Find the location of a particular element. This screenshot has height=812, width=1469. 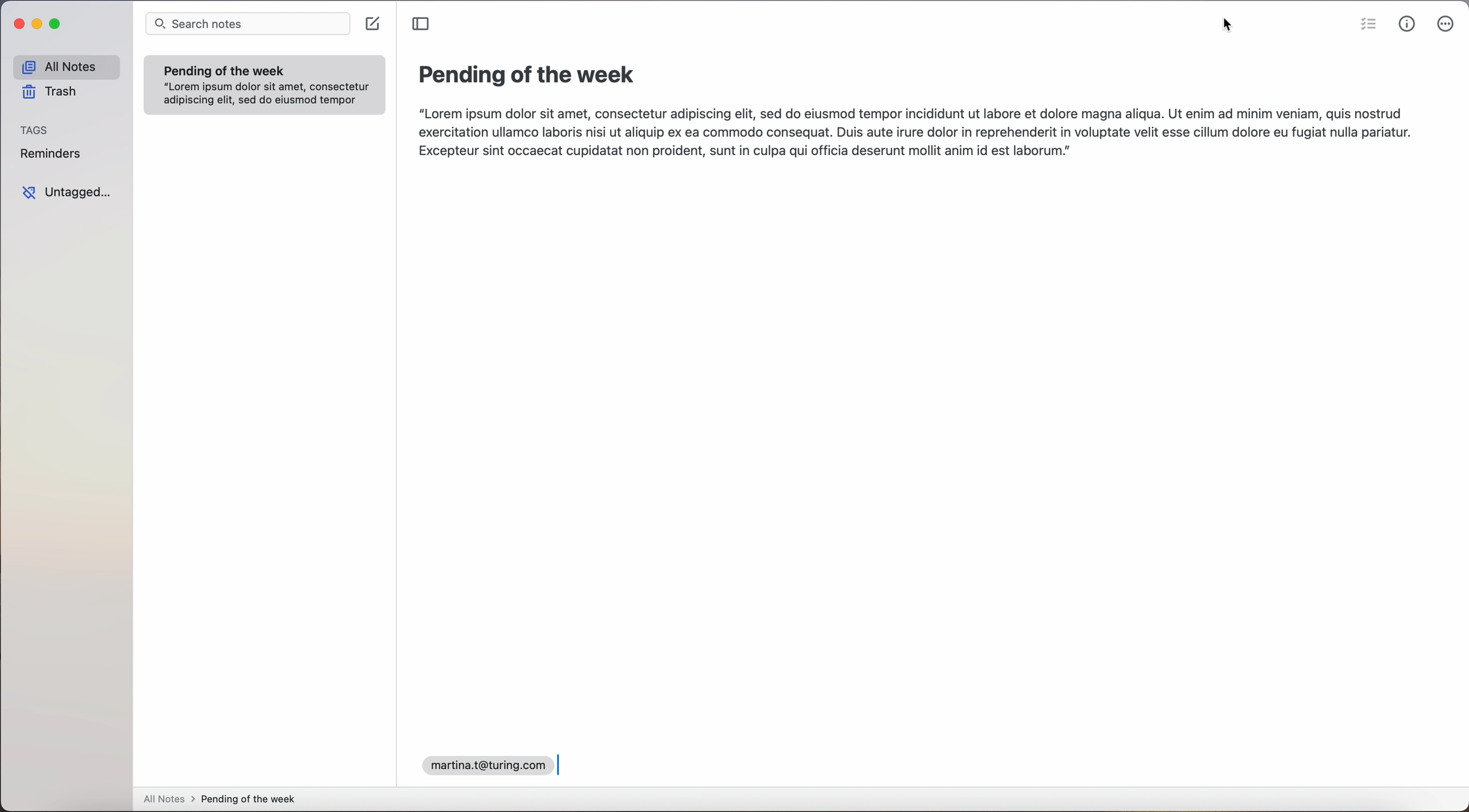

maximize app is located at coordinates (57, 24).